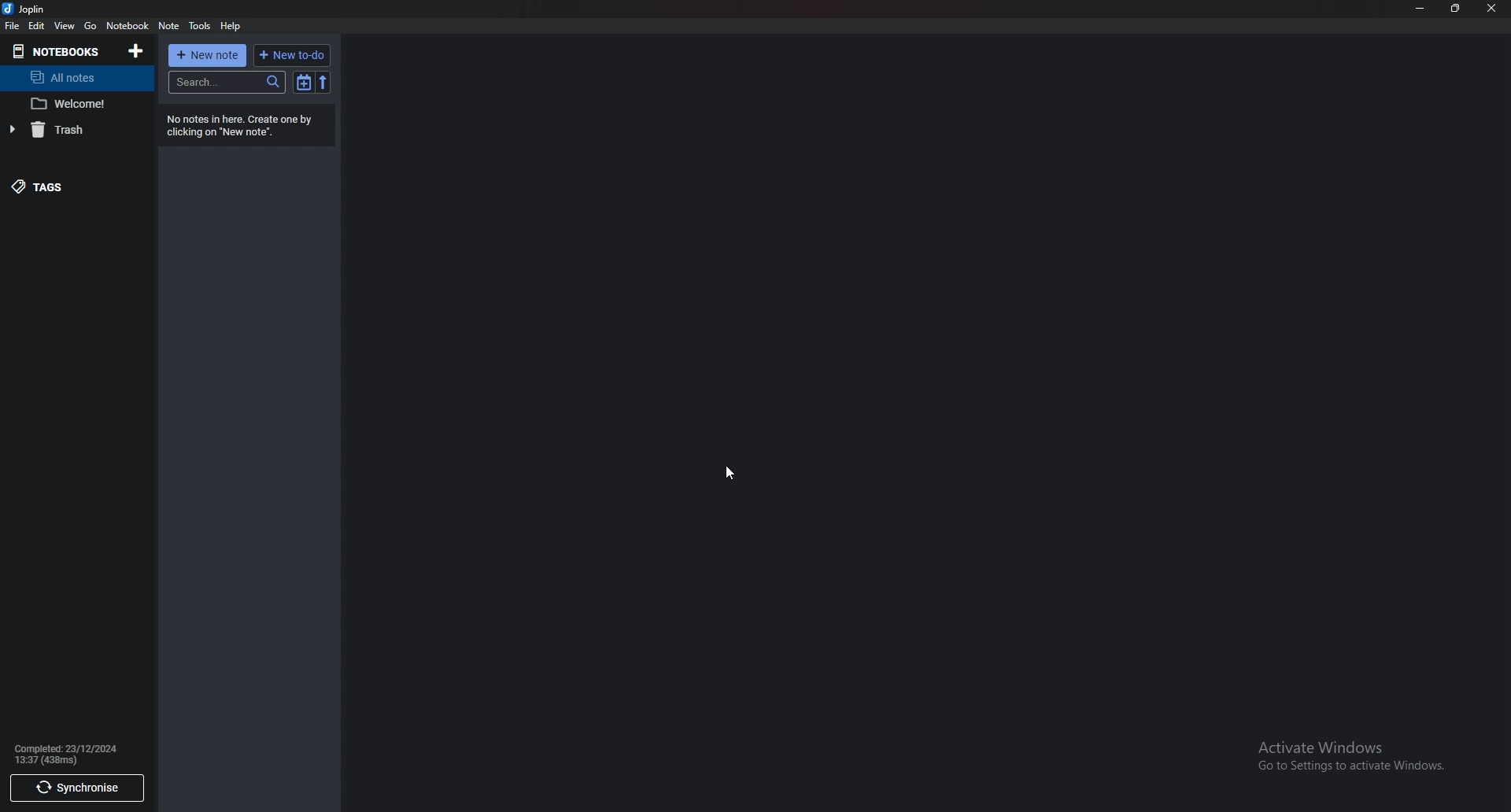 The height and width of the screenshot is (812, 1511). Describe the element at coordinates (76, 105) in the screenshot. I see `welcome` at that location.